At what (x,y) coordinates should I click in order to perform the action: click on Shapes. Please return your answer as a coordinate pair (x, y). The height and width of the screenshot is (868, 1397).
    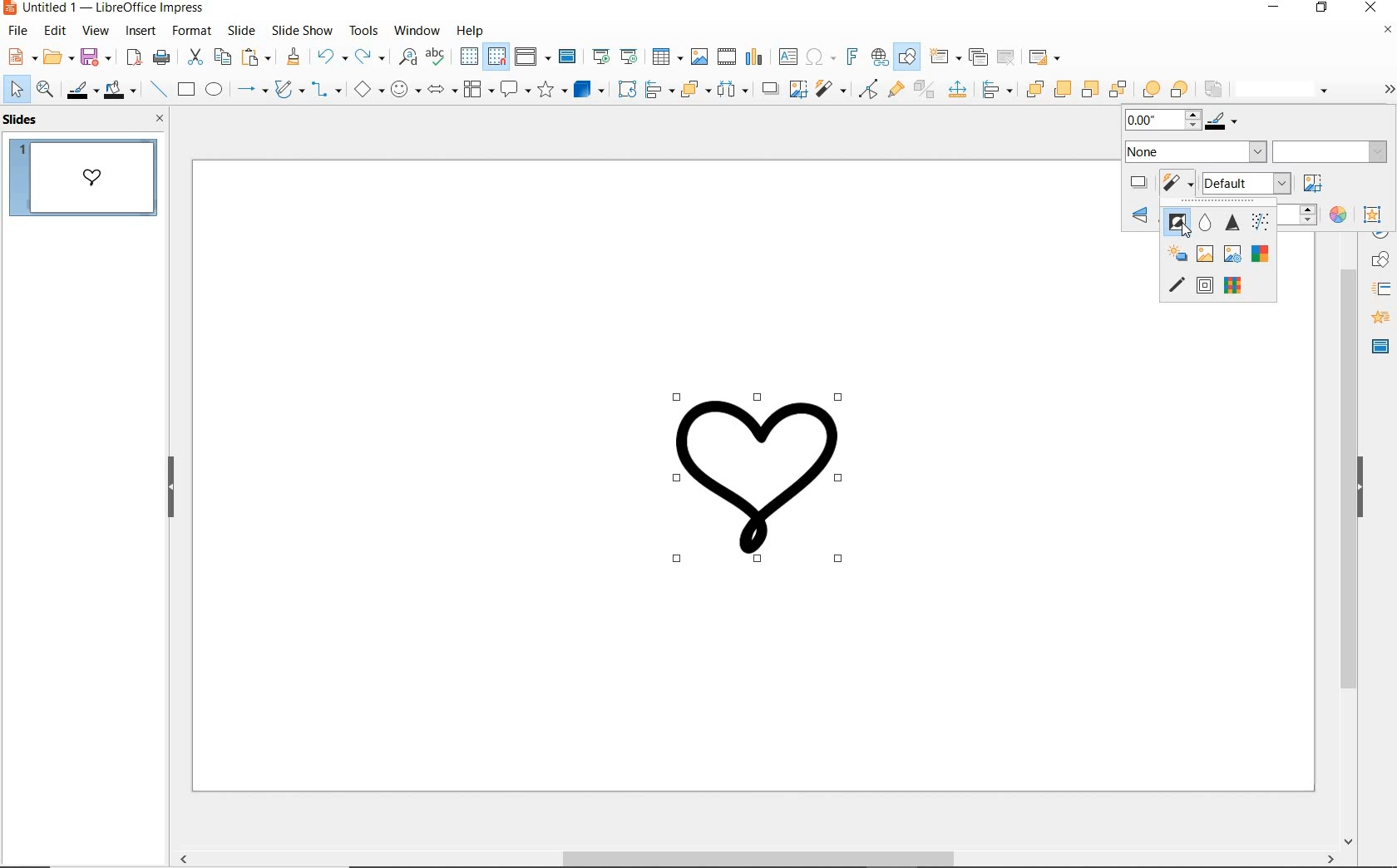
    Looking at the image, I should click on (1381, 260).